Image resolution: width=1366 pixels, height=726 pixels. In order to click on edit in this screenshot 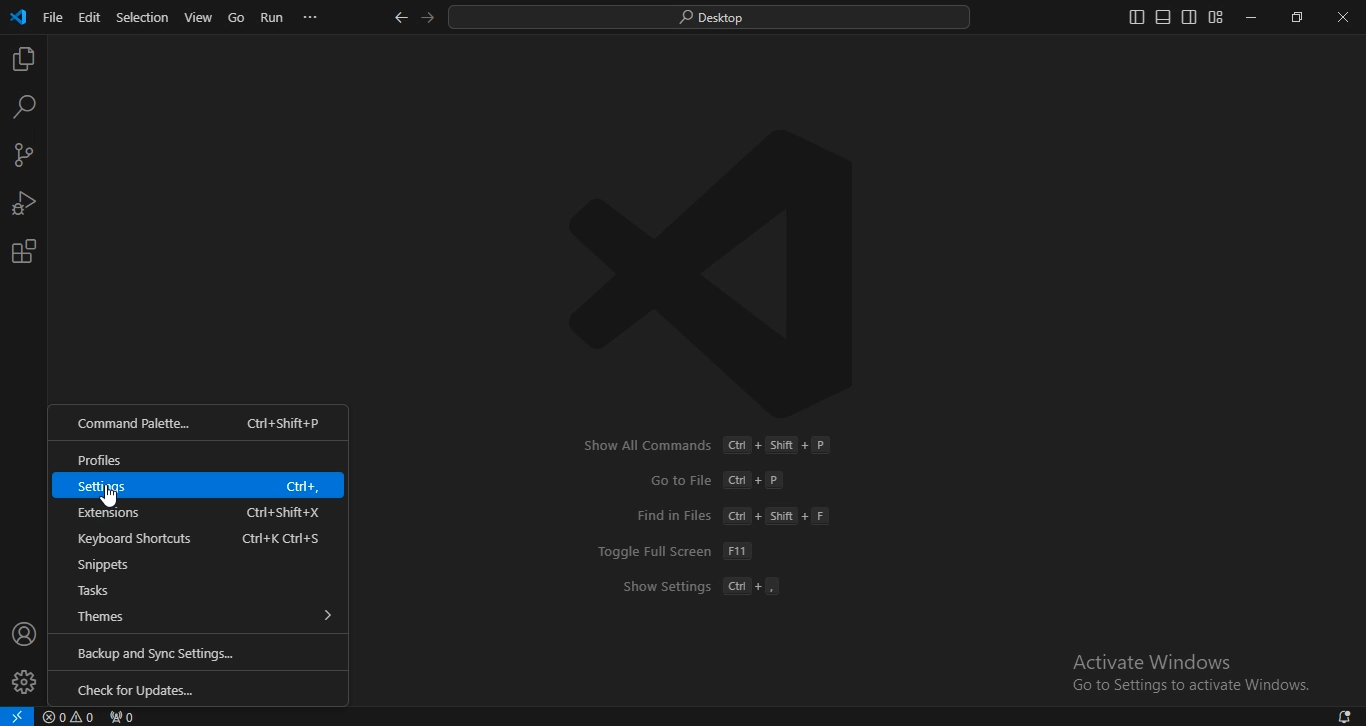, I will do `click(89, 19)`.